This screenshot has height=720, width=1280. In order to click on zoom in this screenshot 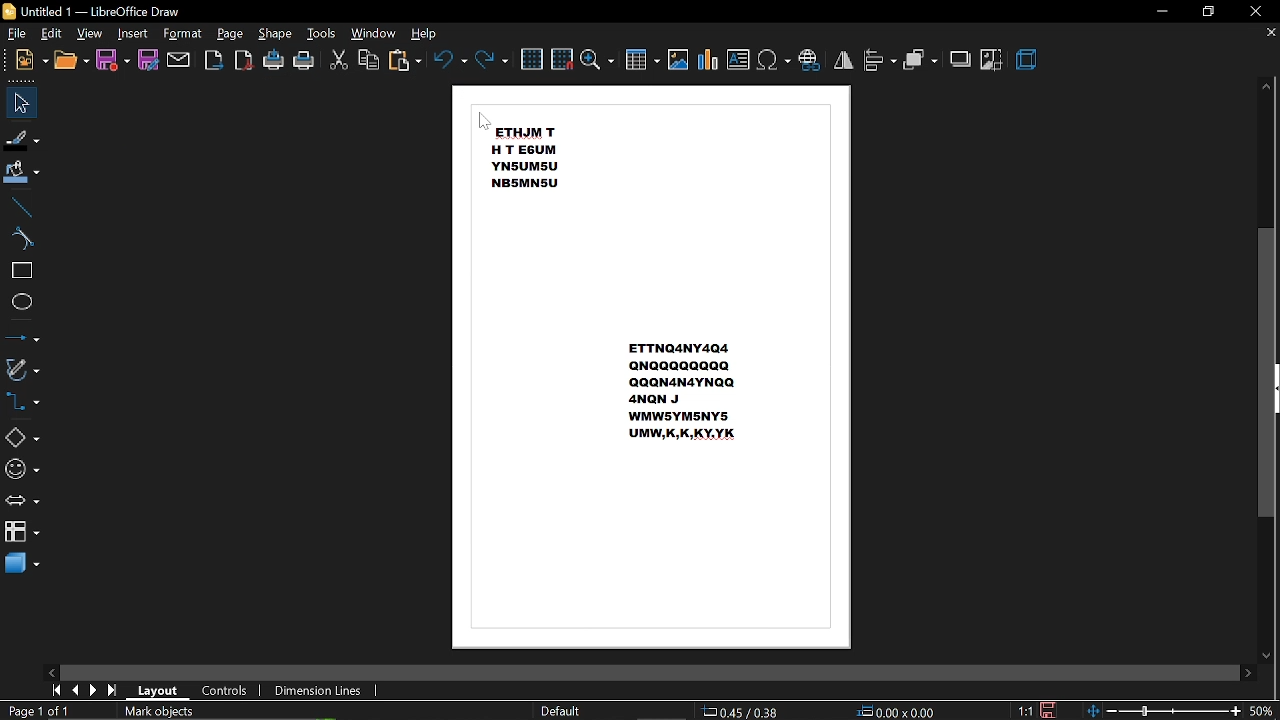, I will do `click(598, 61)`.